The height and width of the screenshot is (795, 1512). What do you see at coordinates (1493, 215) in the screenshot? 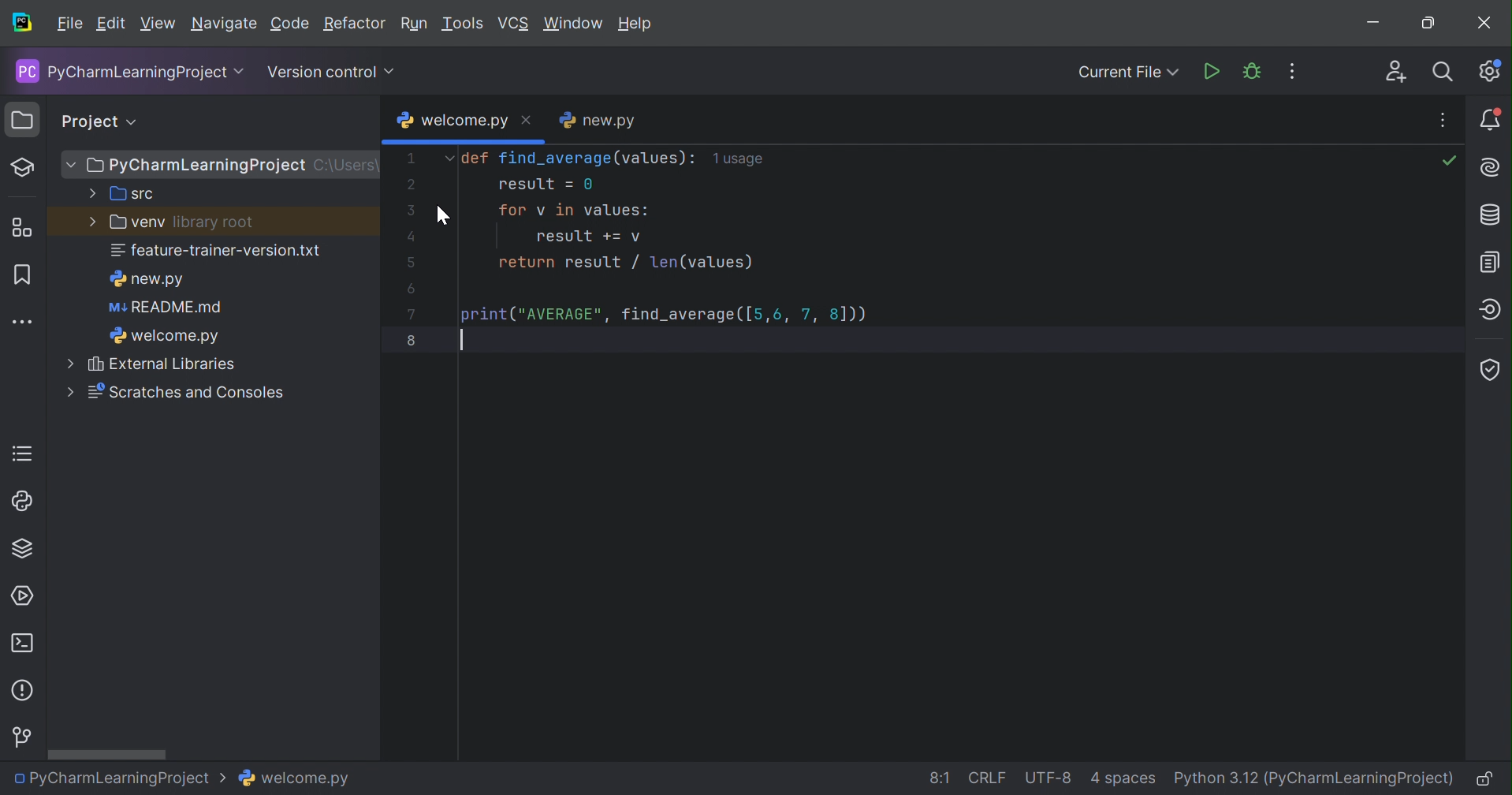
I see `Database` at bounding box center [1493, 215].